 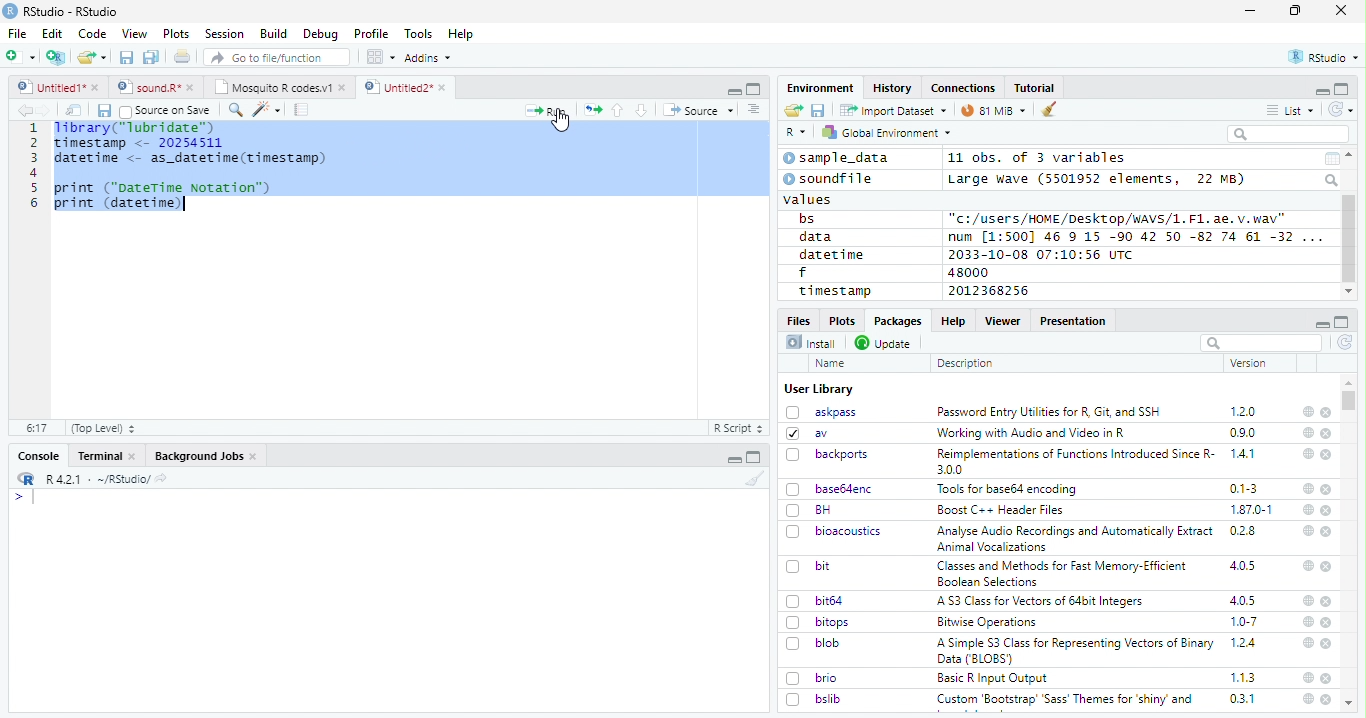 What do you see at coordinates (1325, 58) in the screenshot?
I see `RStudio` at bounding box center [1325, 58].